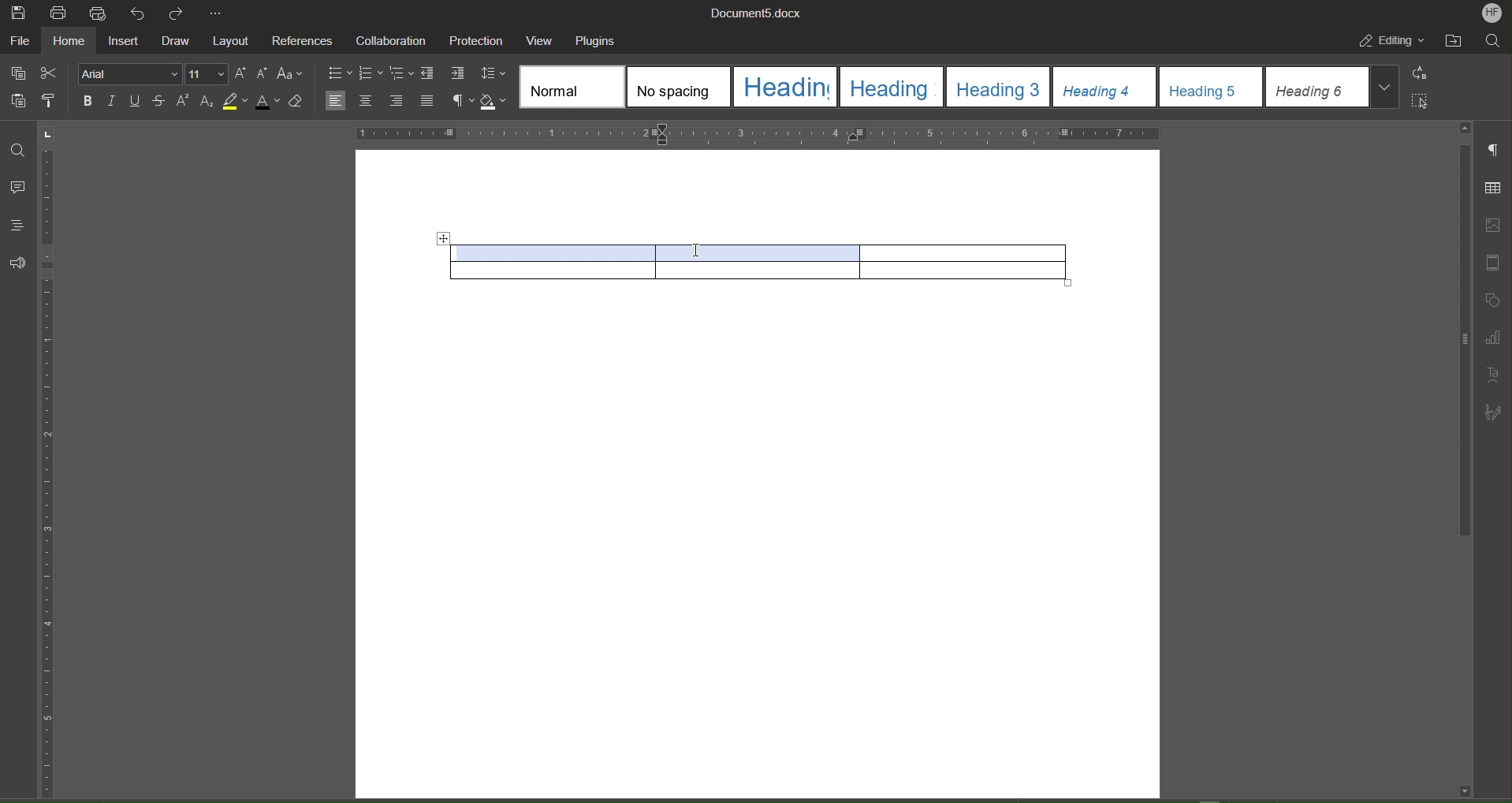  What do you see at coordinates (1496, 409) in the screenshot?
I see `Signature` at bounding box center [1496, 409].